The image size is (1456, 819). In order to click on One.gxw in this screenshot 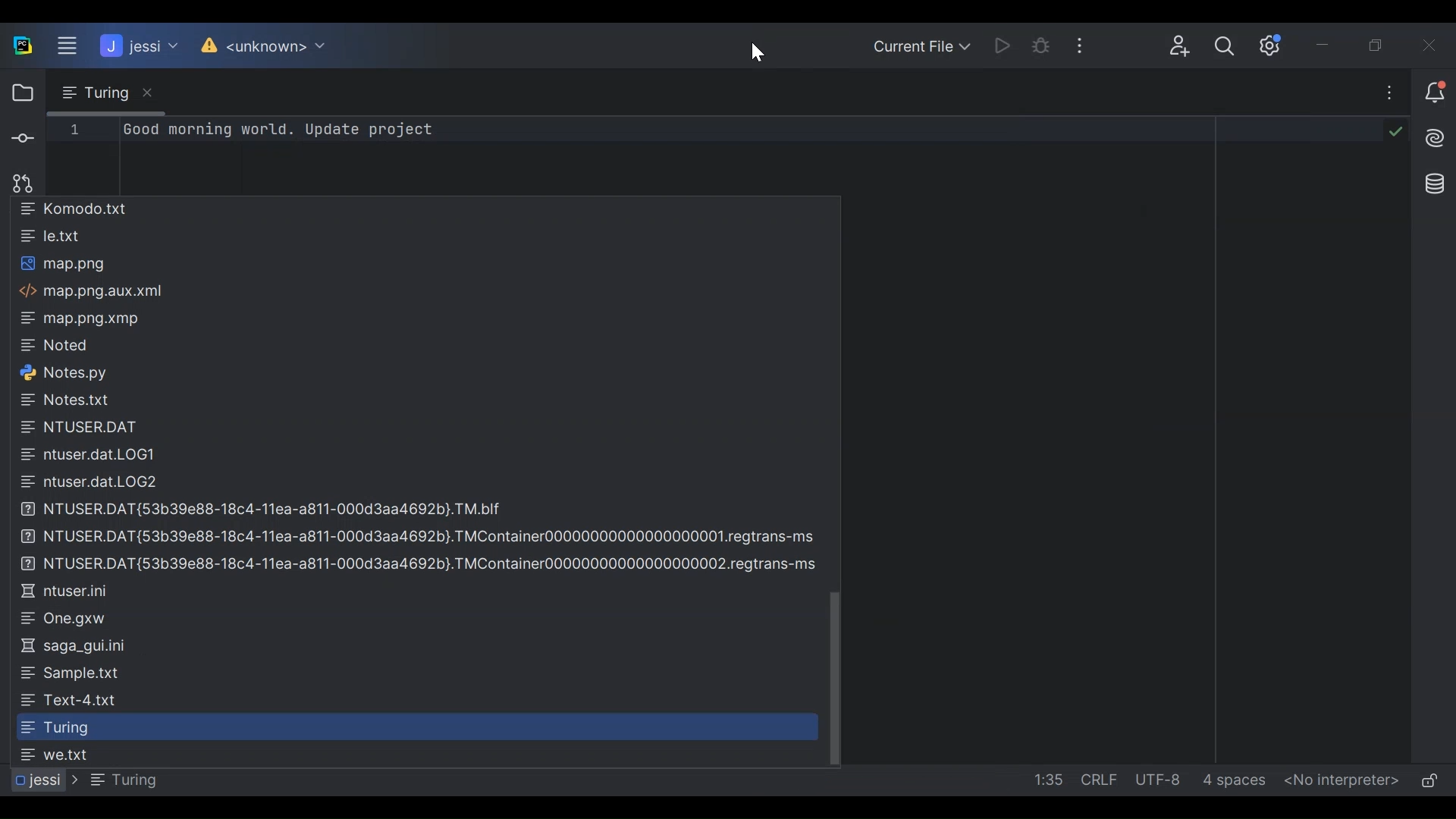, I will do `click(64, 618)`.